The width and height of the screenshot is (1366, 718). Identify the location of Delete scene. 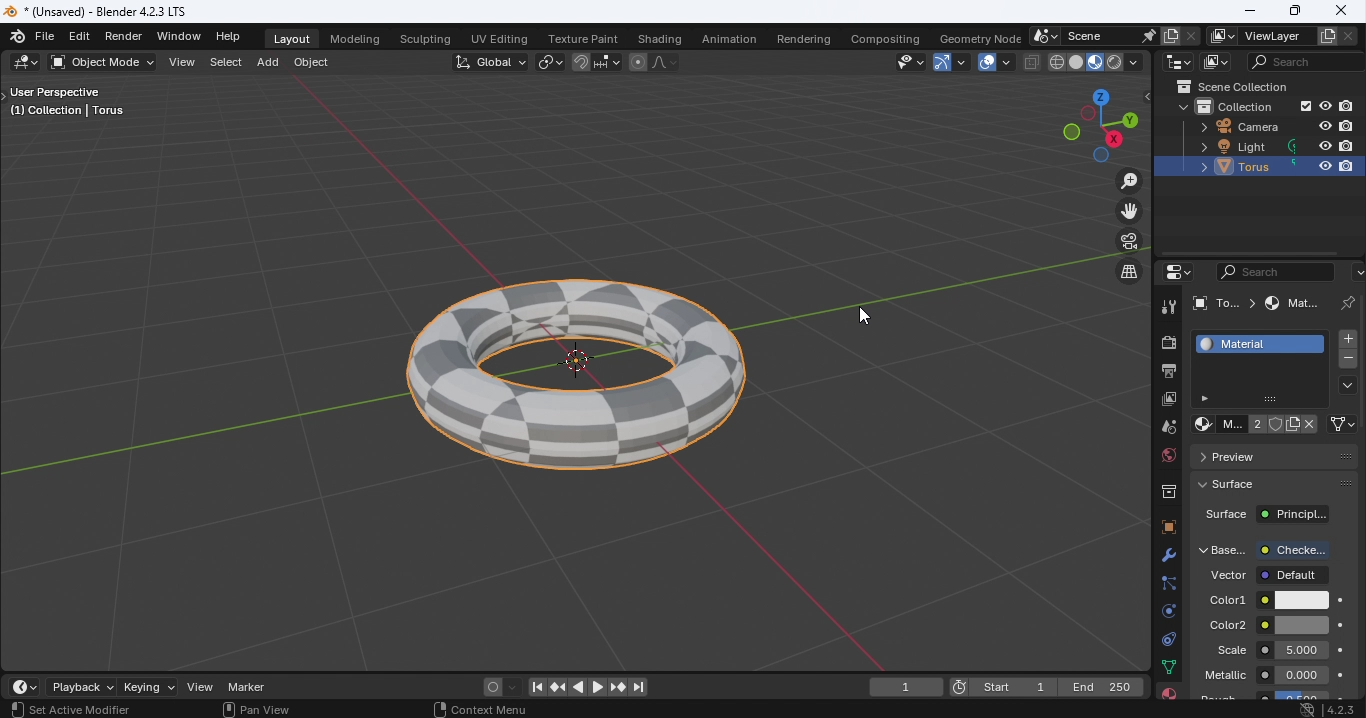
(1190, 35).